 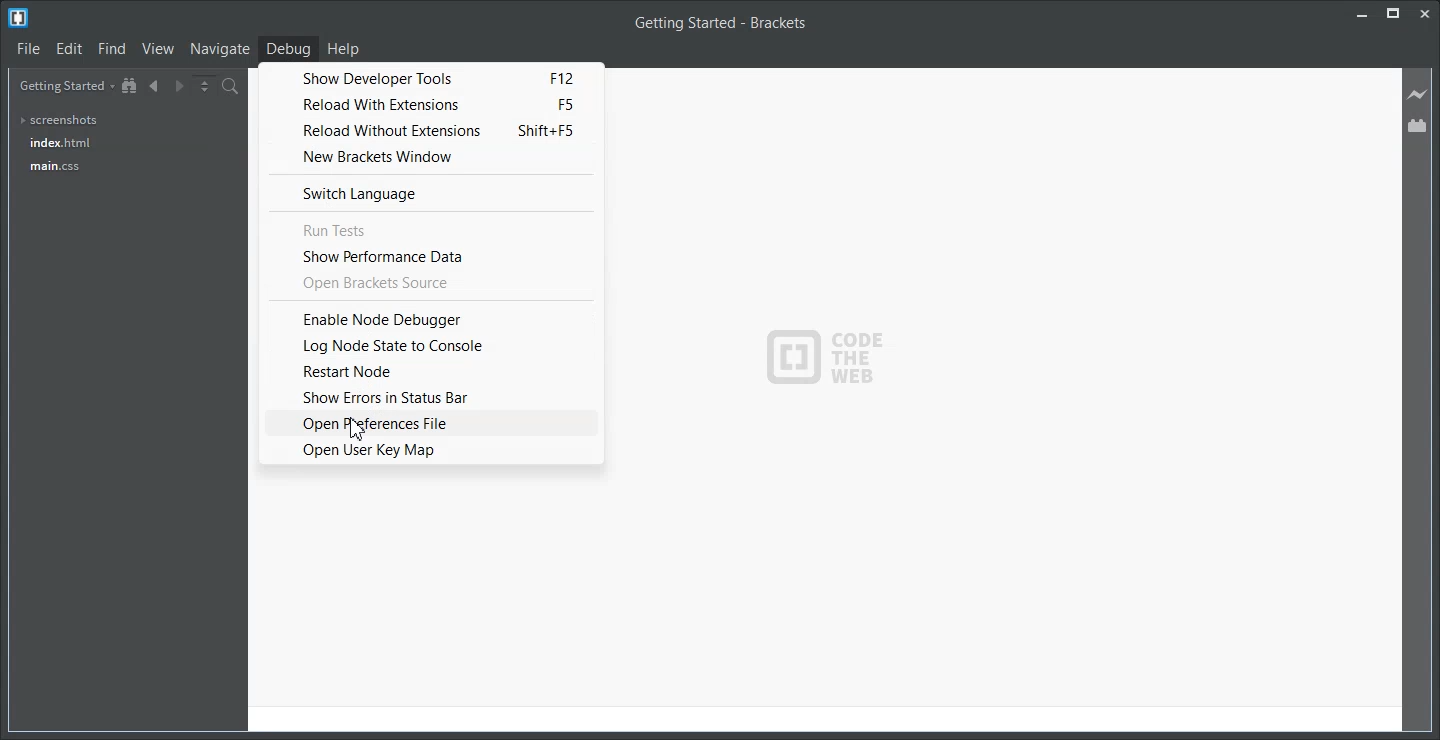 What do you see at coordinates (57, 120) in the screenshot?
I see `screenshots` at bounding box center [57, 120].